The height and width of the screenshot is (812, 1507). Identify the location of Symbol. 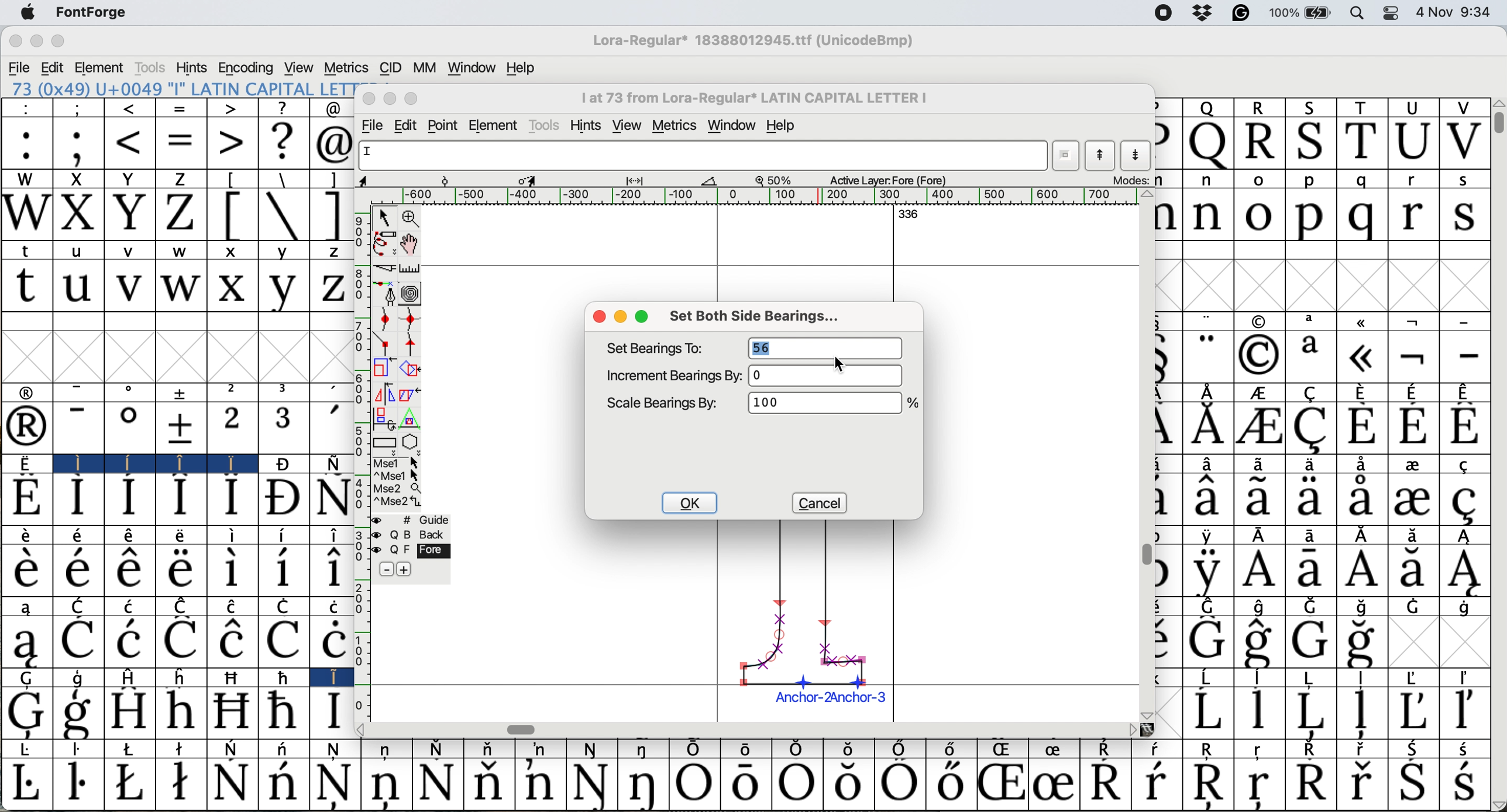
(231, 642).